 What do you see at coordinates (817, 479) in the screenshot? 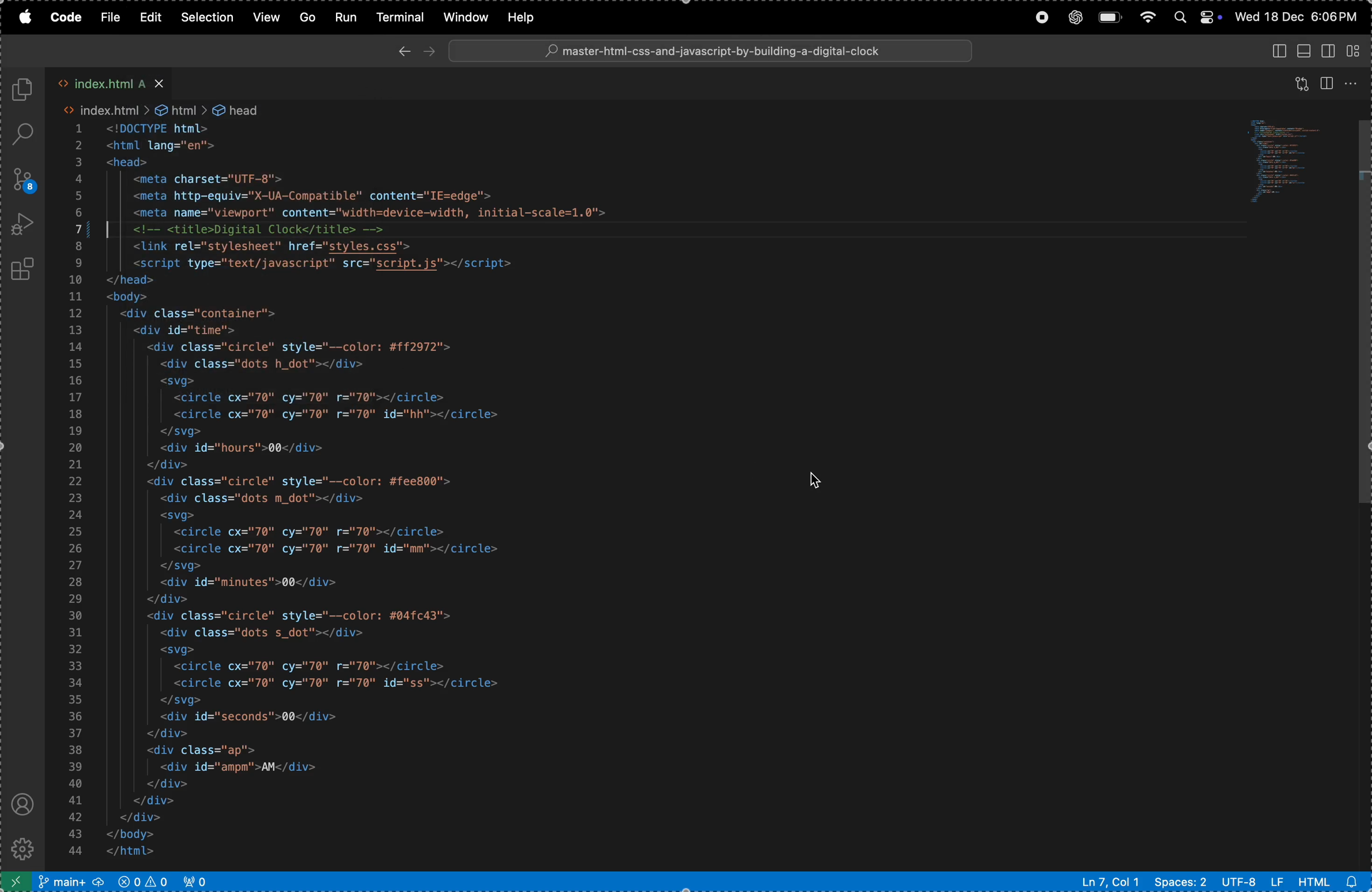
I see `cursor` at bounding box center [817, 479].